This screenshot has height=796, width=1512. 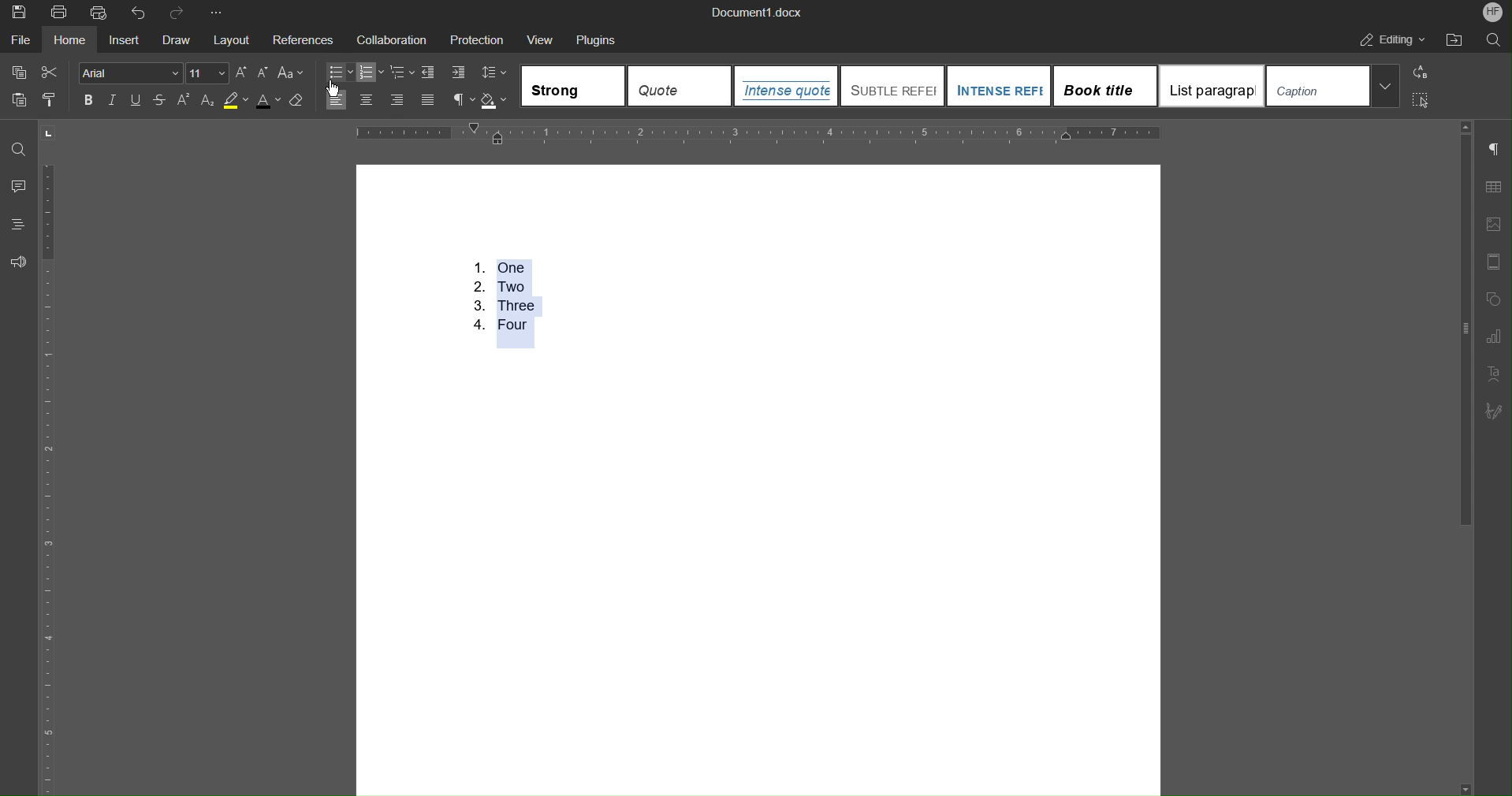 I want to click on Subtle Reference, so click(x=892, y=85).